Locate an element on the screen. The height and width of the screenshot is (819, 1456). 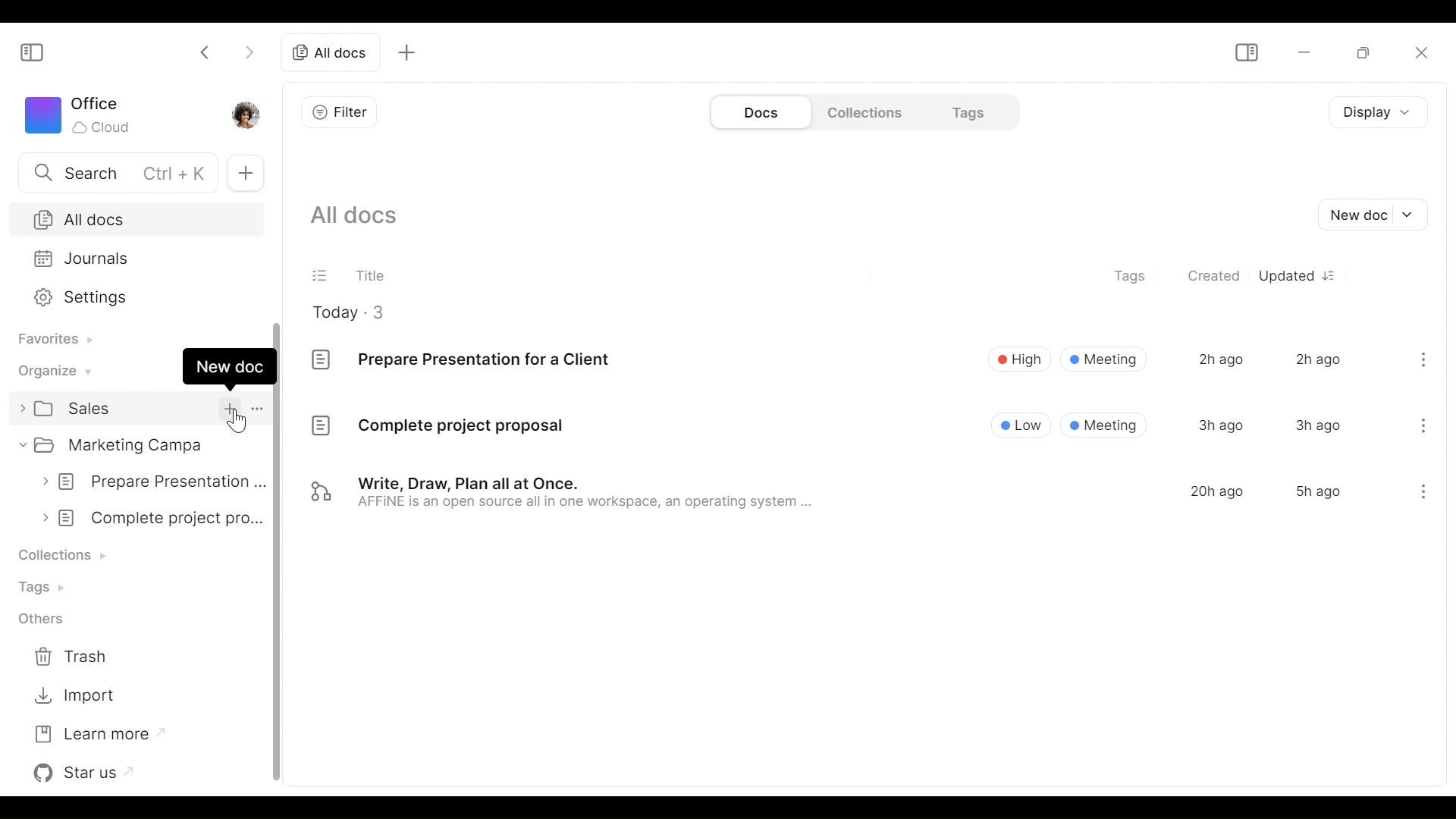
Collection is located at coordinates (70, 552).